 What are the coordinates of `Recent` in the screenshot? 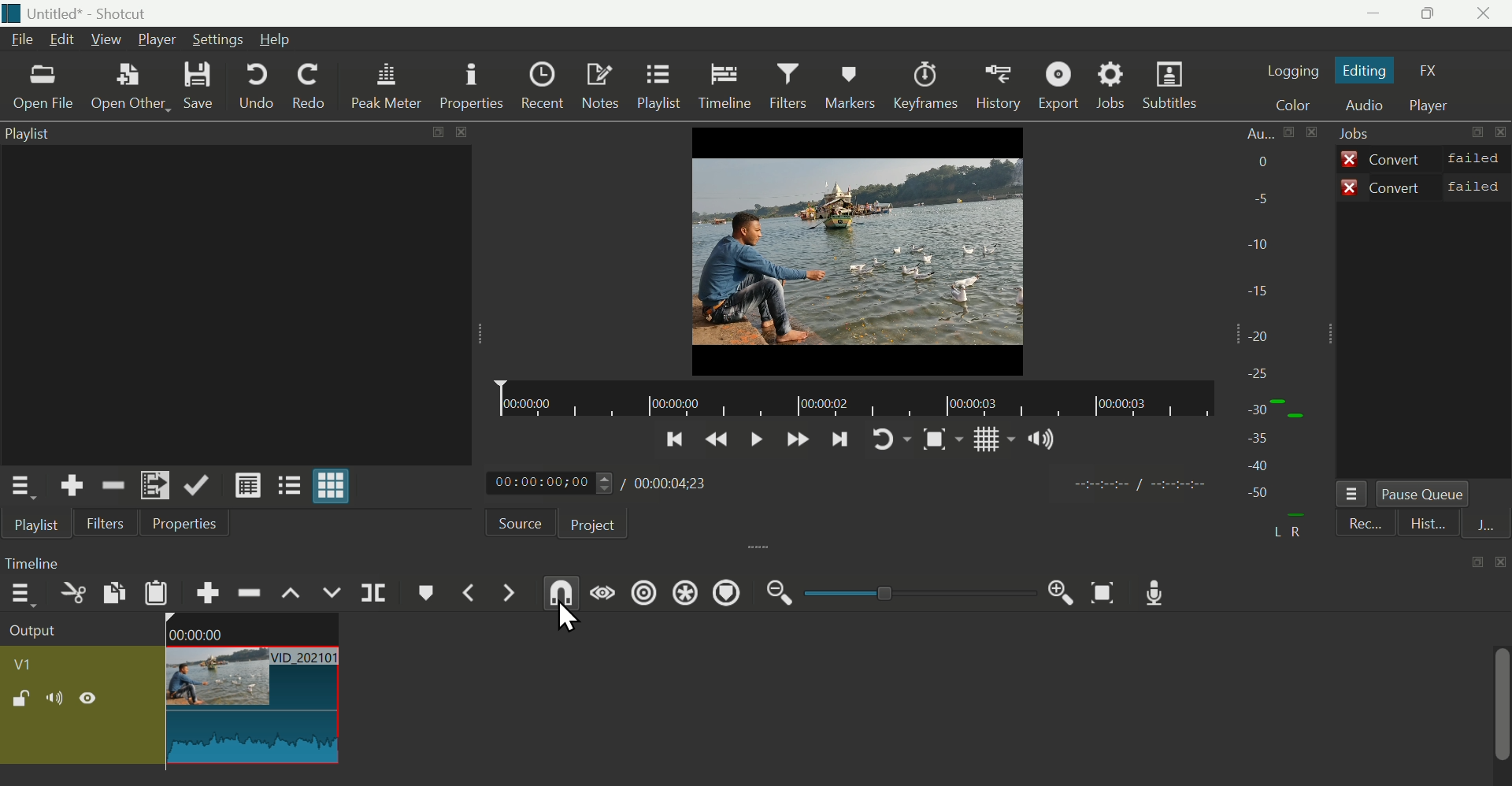 It's located at (541, 87).